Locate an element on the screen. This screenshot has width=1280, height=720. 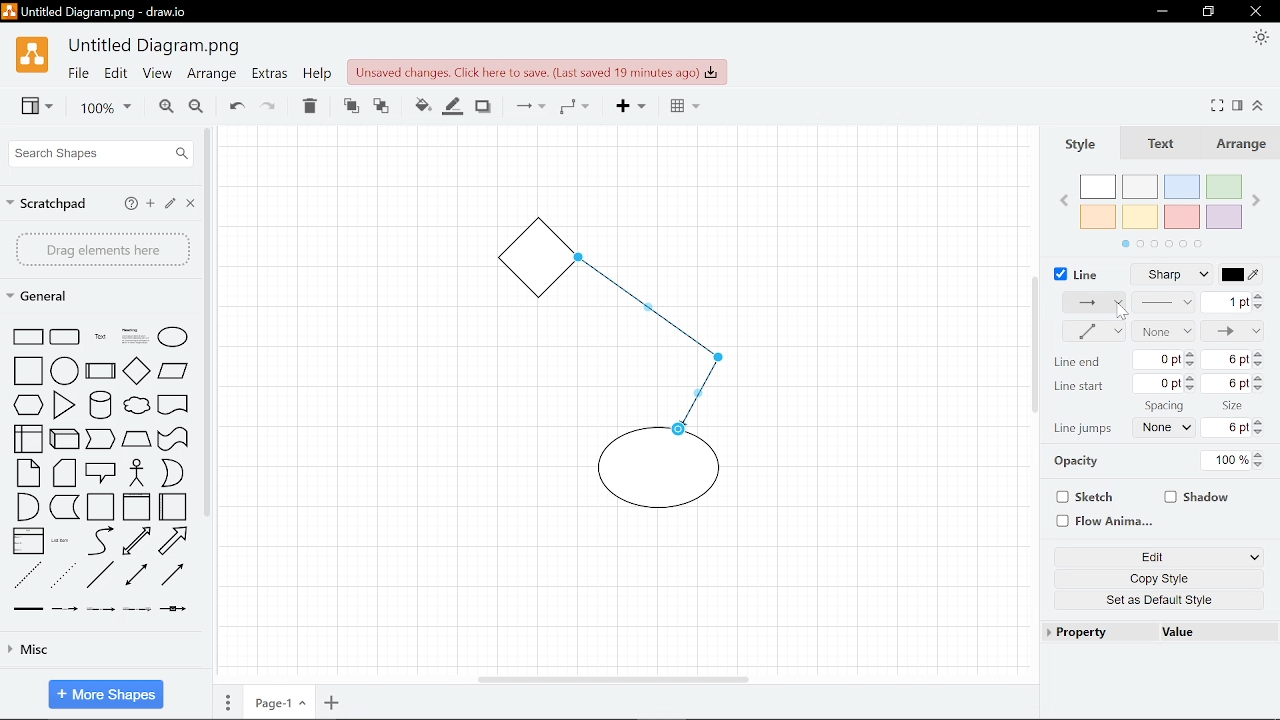
Line end is located at coordinates (1233, 330).